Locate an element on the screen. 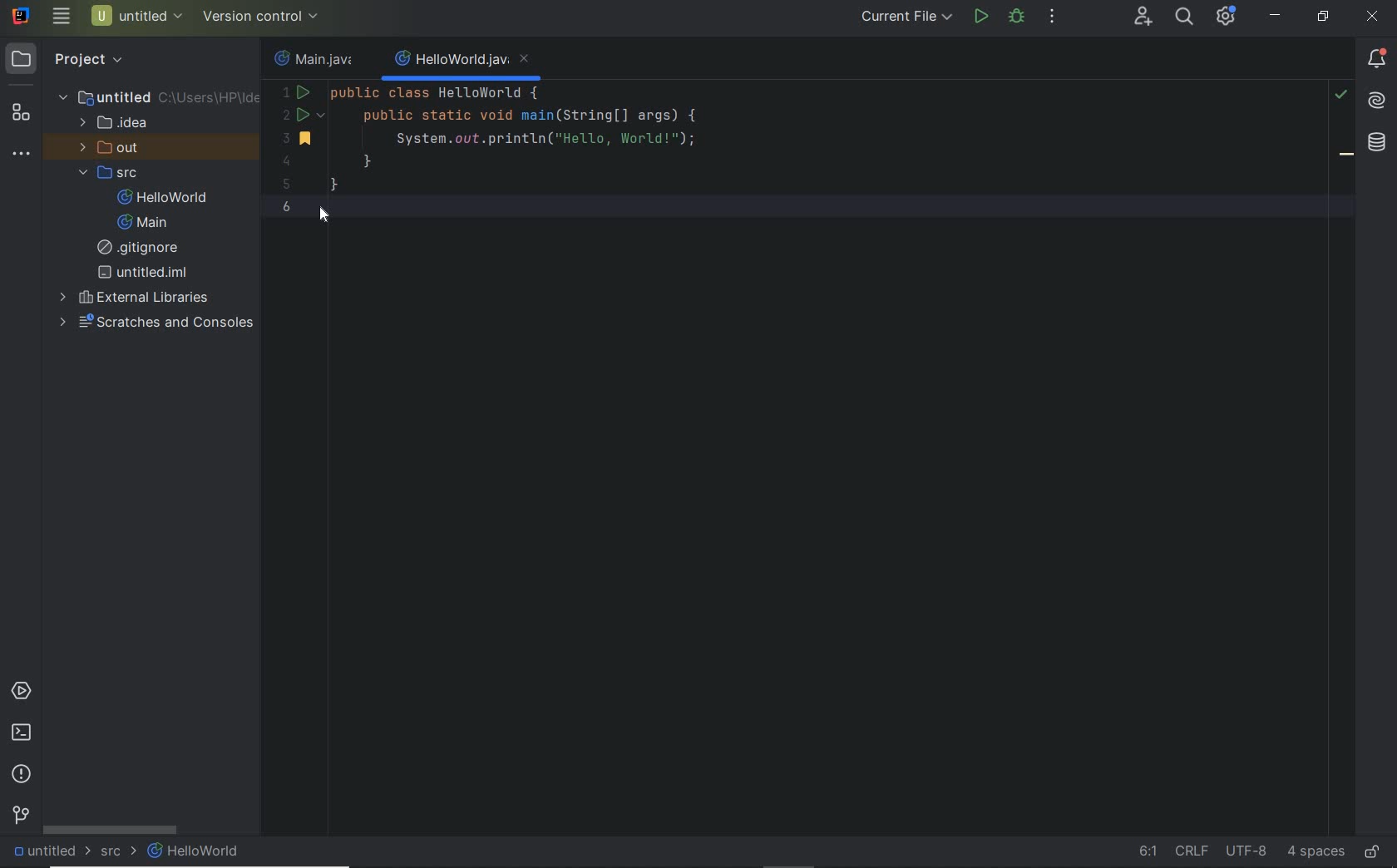 Image resolution: width=1397 pixels, height=868 pixels. scratches and consoles is located at coordinates (157, 323).